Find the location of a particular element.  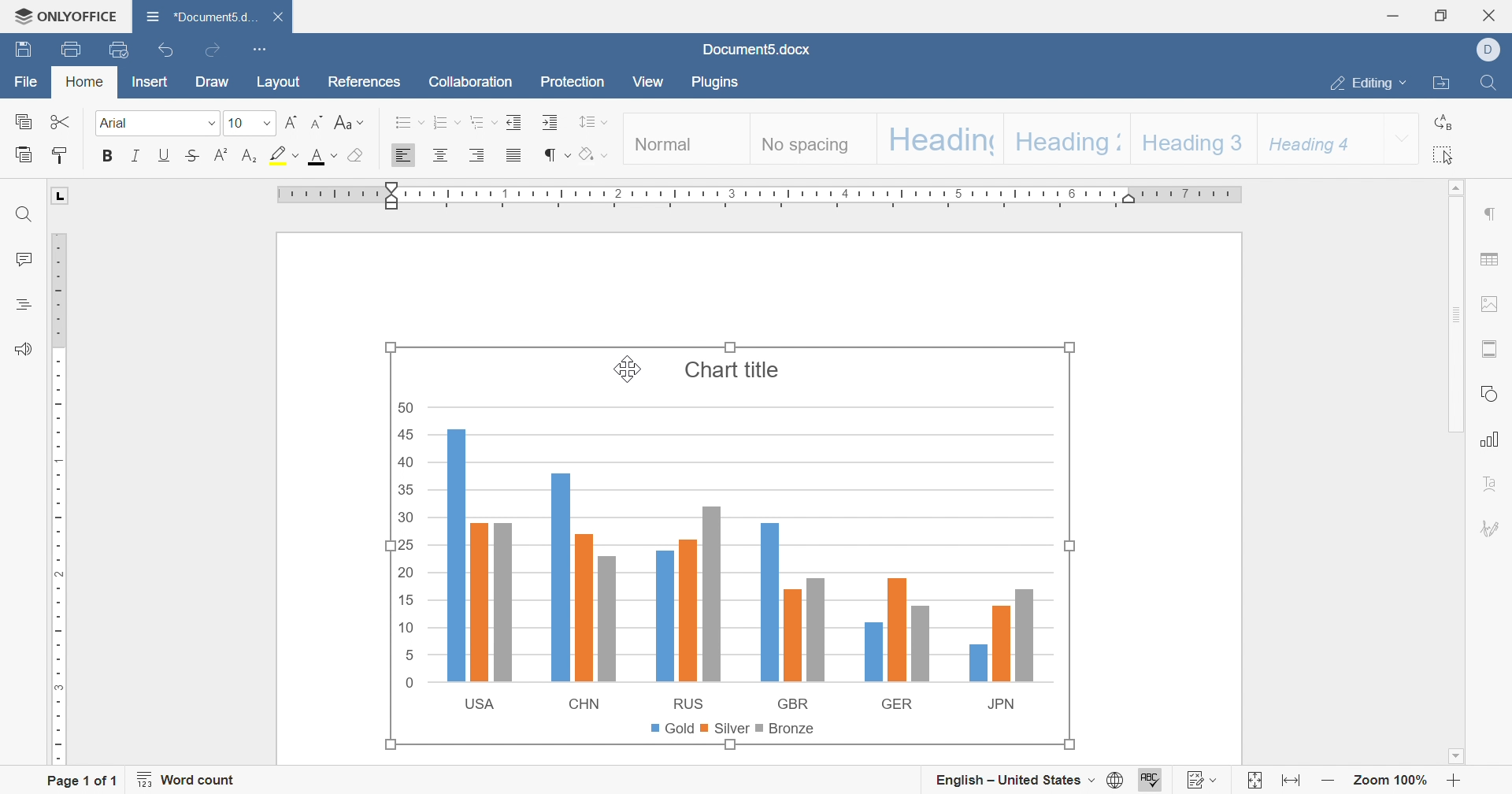

replace is located at coordinates (1447, 123).